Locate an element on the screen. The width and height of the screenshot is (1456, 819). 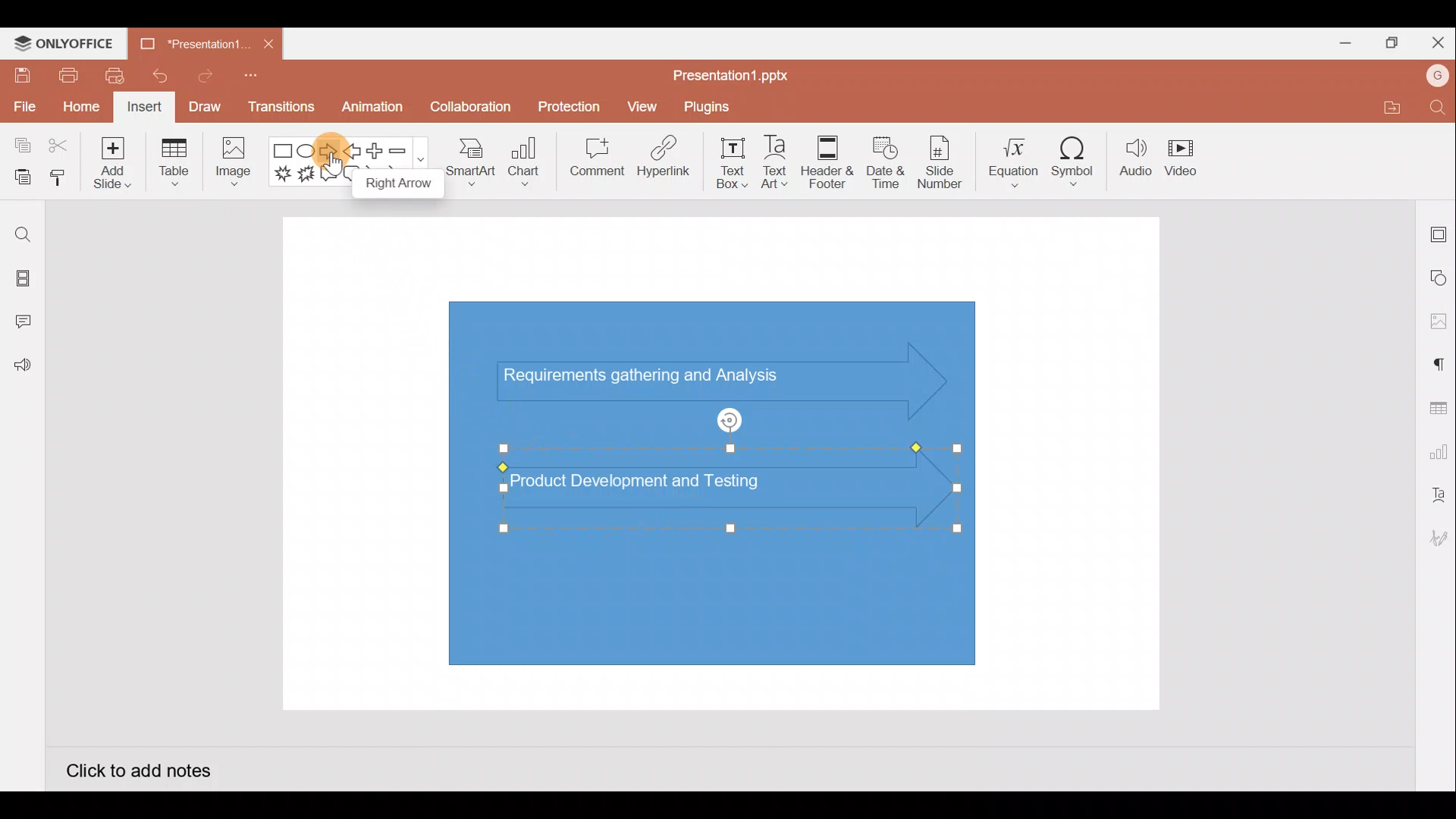
Undo is located at coordinates (154, 76).